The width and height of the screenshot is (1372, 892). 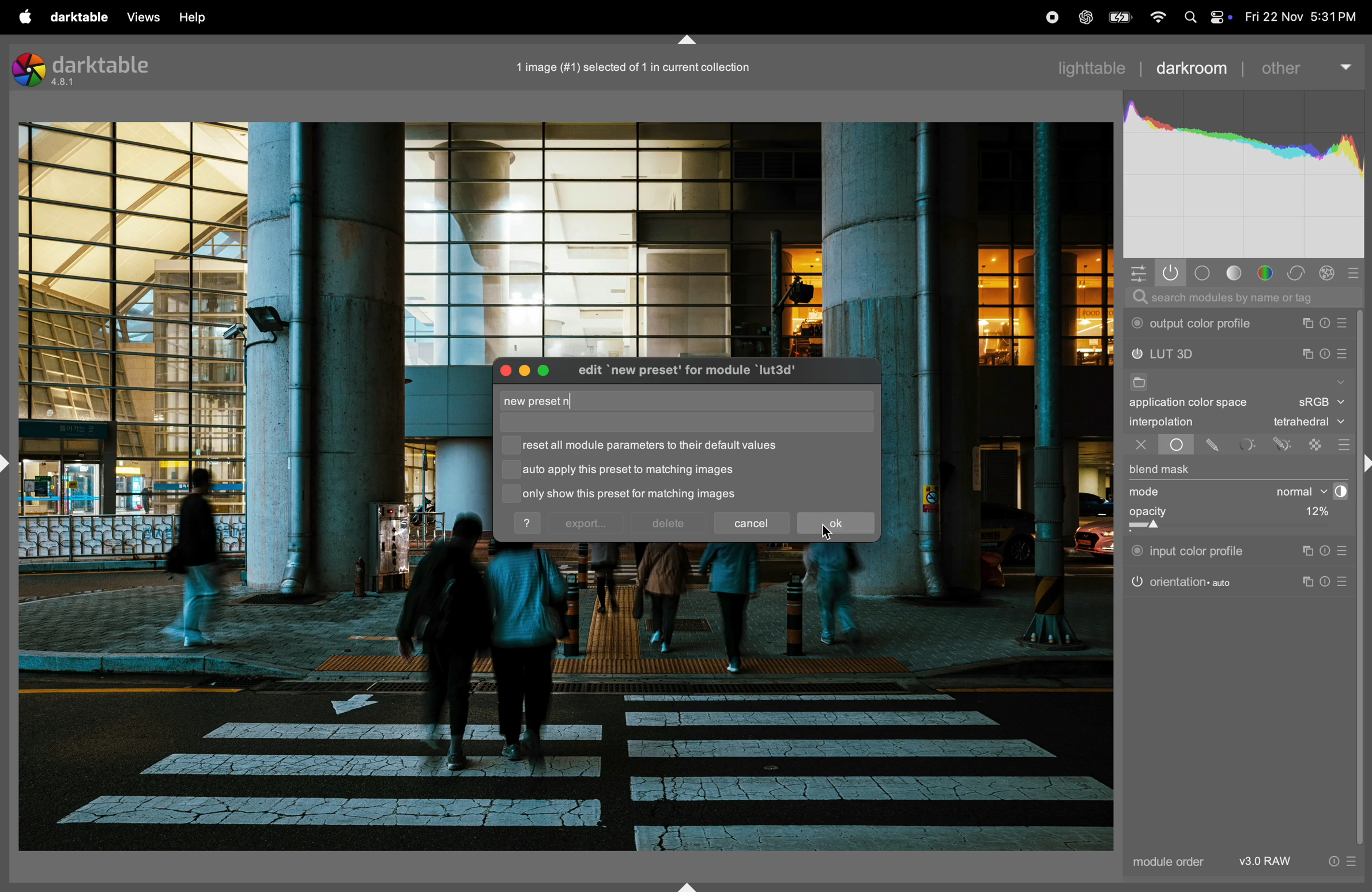 What do you see at coordinates (546, 368) in the screenshot?
I see `maximize` at bounding box center [546, 368].